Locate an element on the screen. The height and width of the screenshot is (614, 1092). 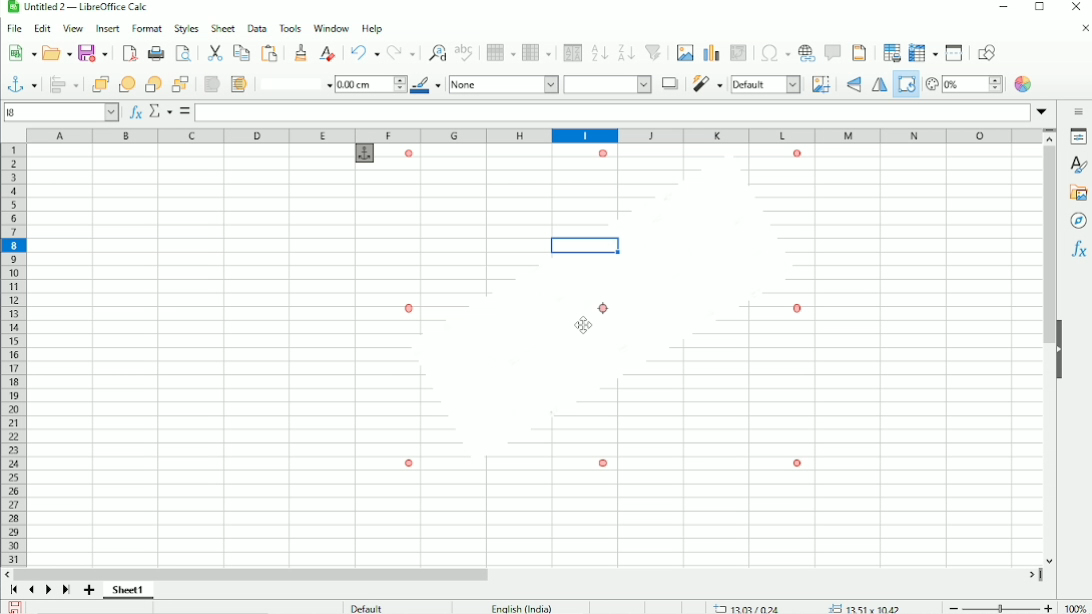
Sheet is located at coordinates (222, 28).